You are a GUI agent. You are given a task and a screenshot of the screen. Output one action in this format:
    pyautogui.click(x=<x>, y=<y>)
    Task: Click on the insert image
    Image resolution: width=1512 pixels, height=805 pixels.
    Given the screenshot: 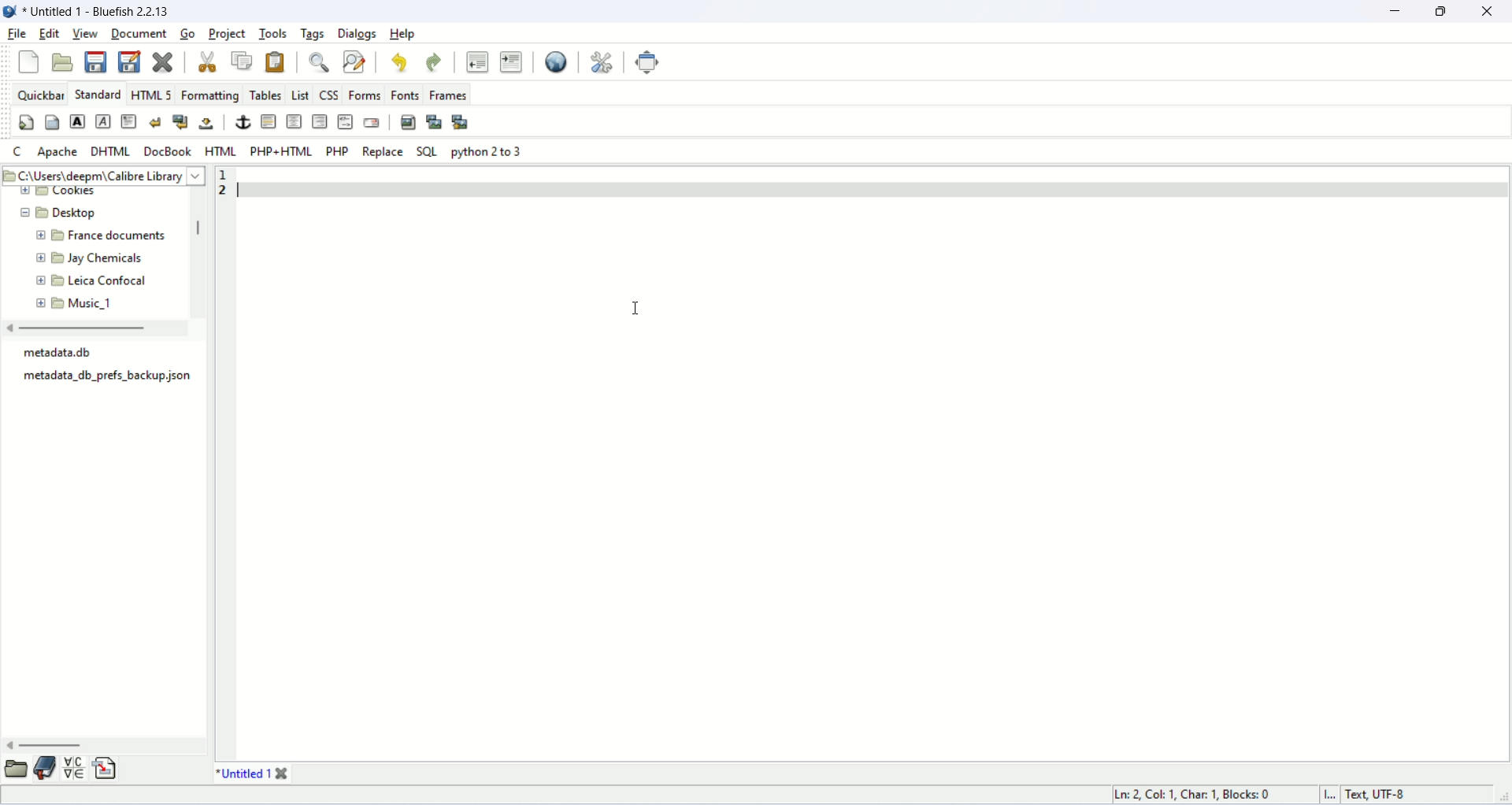 What is the action you would take?
    pyautogui.click(x=409, y=123)
    